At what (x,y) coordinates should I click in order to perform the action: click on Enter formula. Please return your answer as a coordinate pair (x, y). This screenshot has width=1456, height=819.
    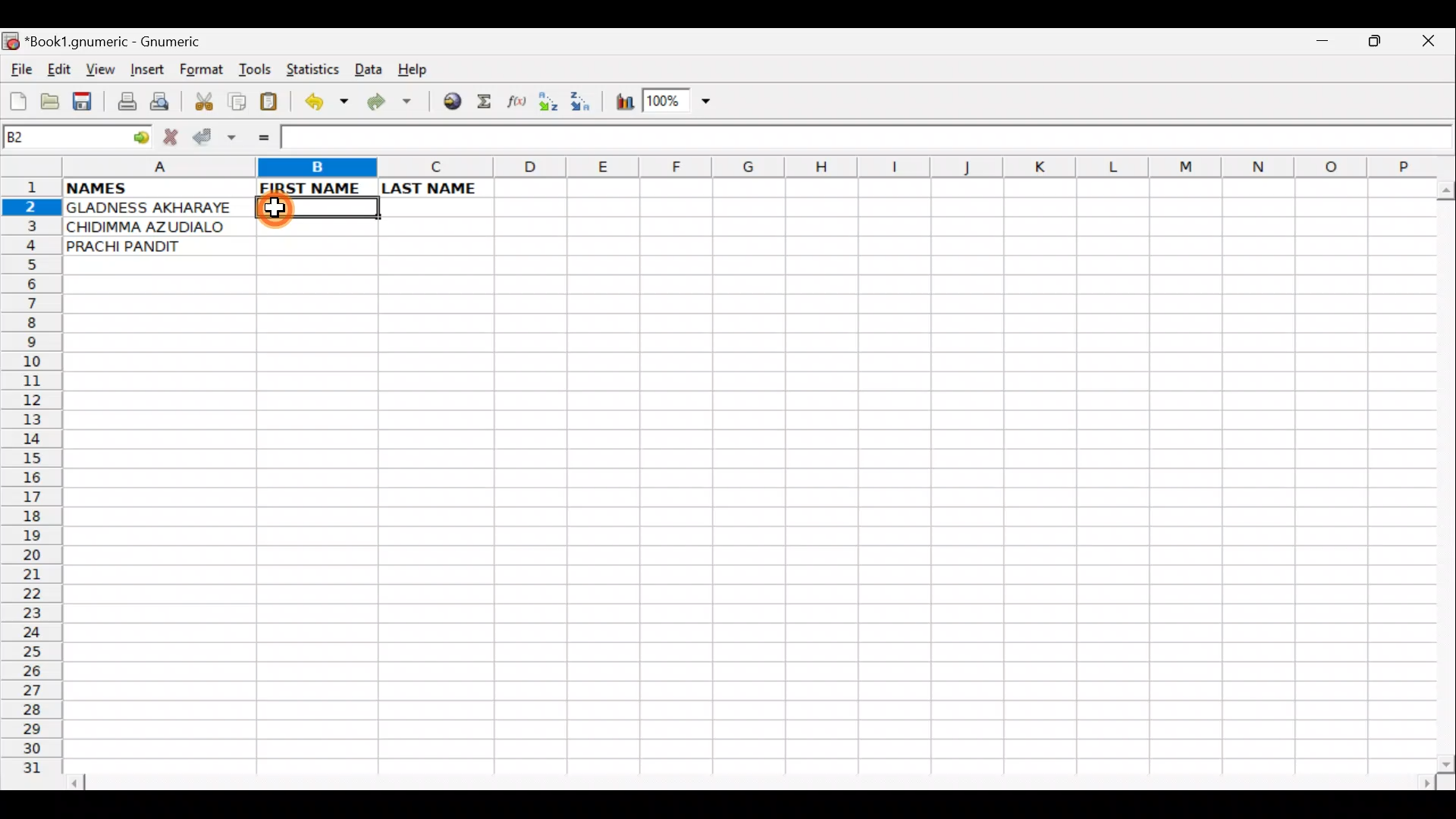
    Looking at the image, I should click on (259, 136).